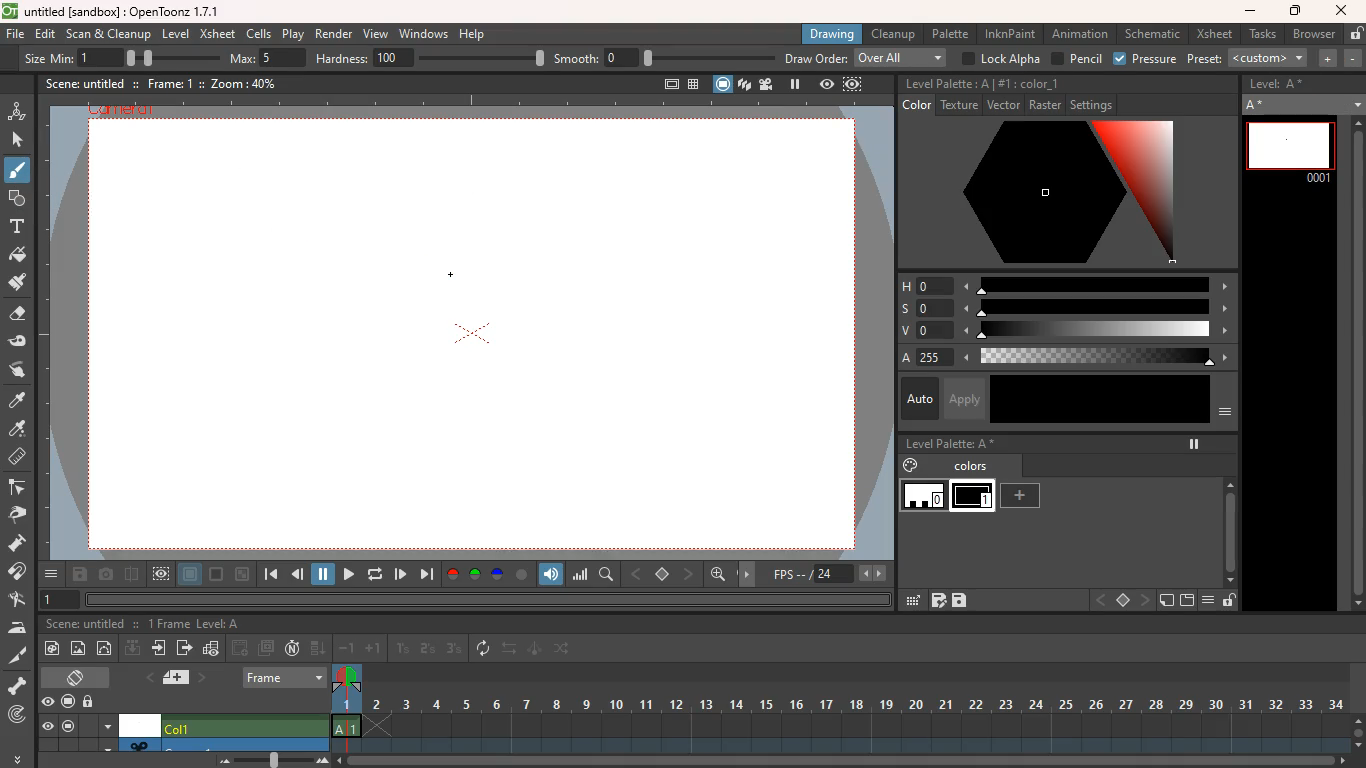  Describe the element at coordinates (172, 678) in the screenshot. I see `layer` at that location.